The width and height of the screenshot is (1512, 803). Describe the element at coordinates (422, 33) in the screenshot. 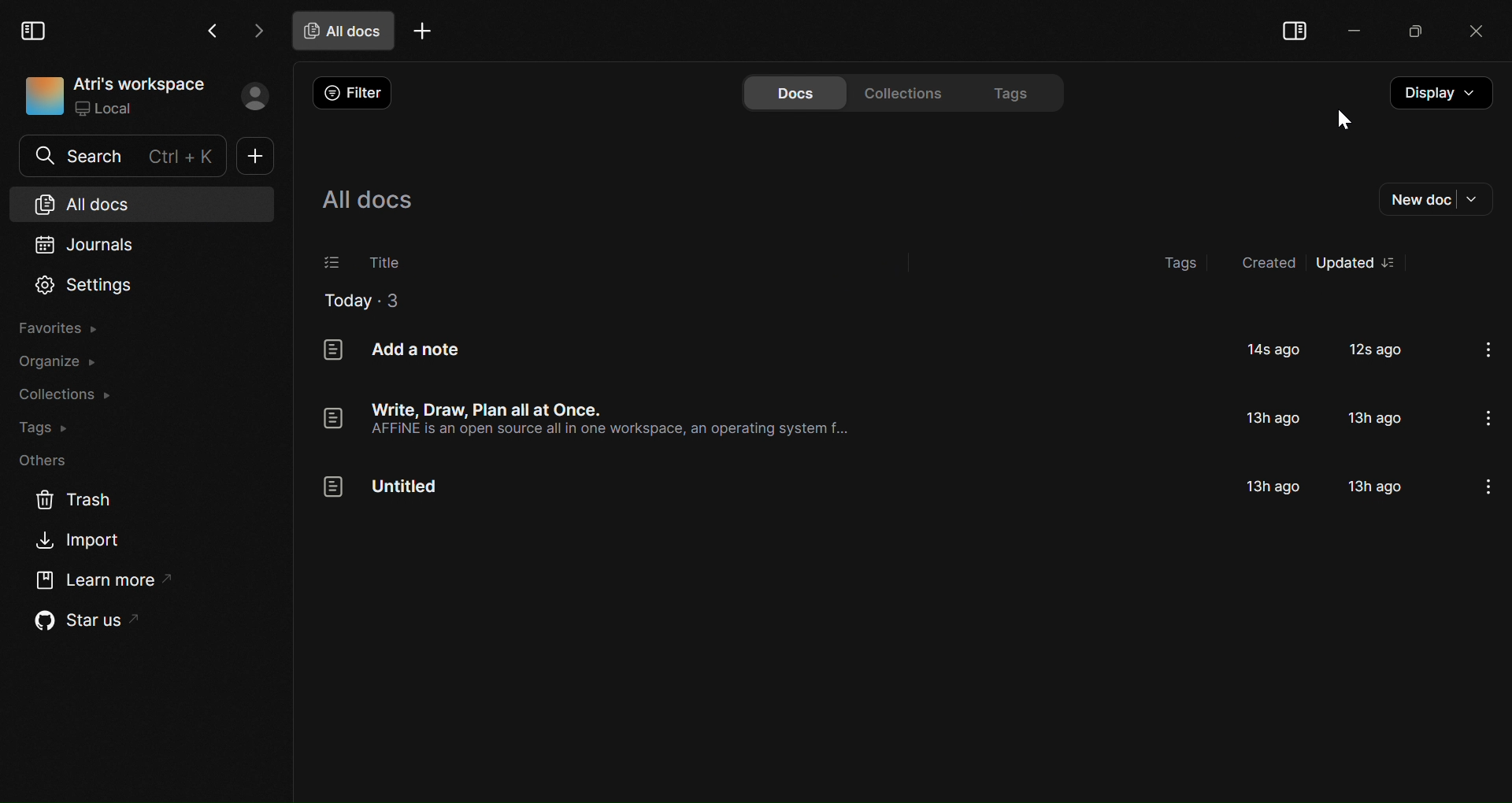

I see `Add tab` at that location.